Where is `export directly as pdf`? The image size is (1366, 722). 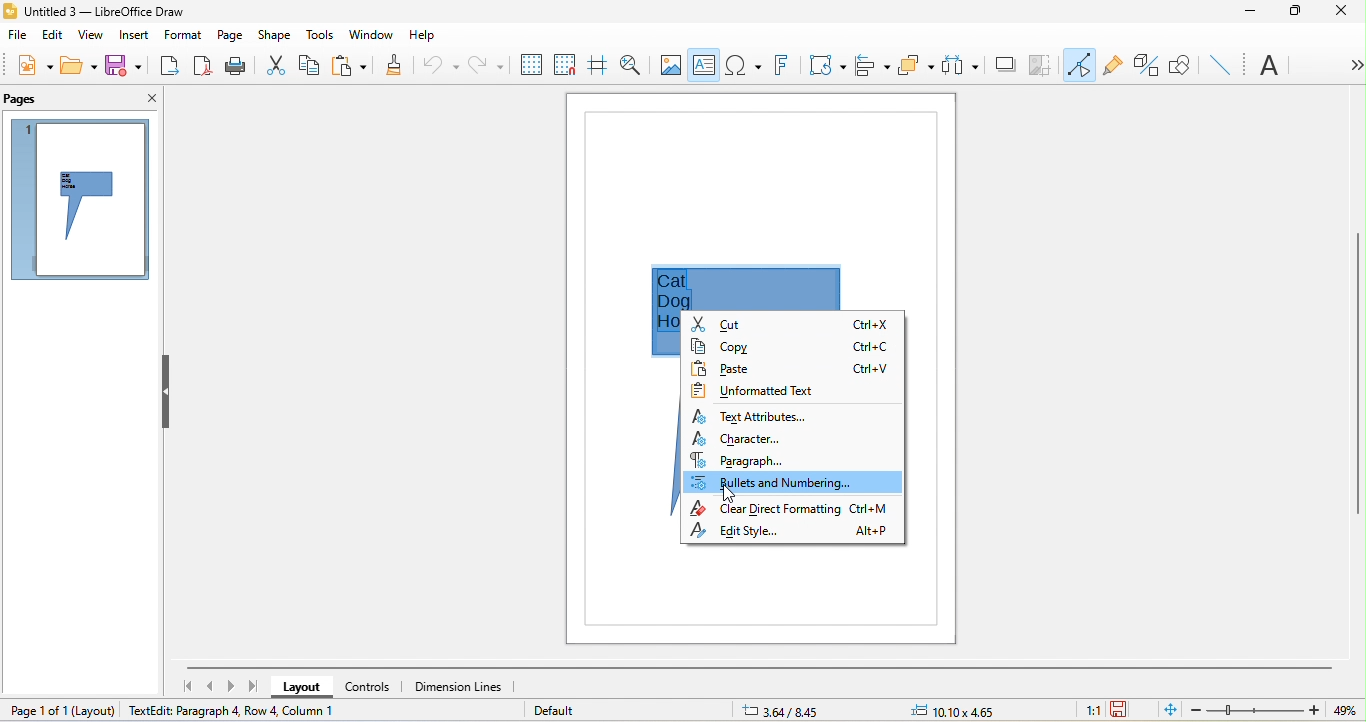
export directly as pdf is located at coordinates (203, 68).